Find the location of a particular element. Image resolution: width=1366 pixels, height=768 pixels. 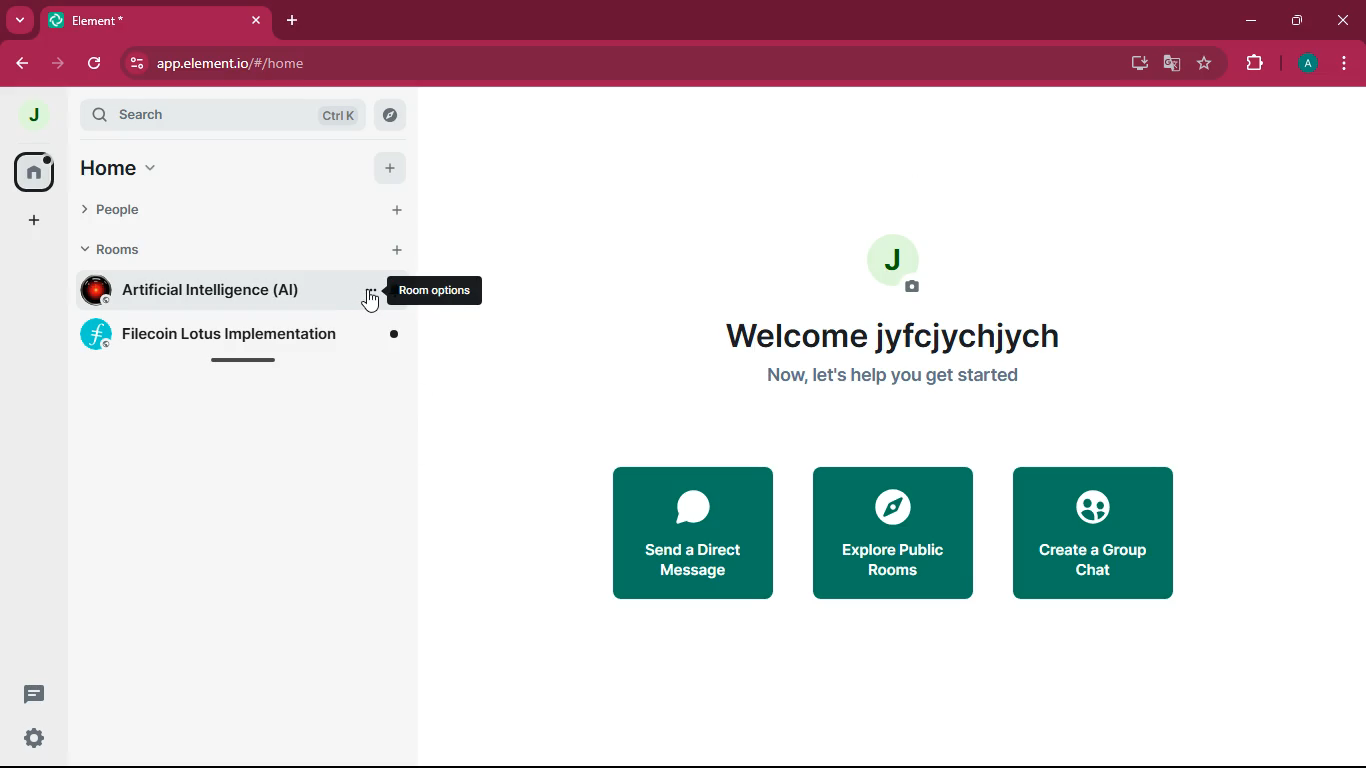

favorite is located at coordinates (1206, 66).